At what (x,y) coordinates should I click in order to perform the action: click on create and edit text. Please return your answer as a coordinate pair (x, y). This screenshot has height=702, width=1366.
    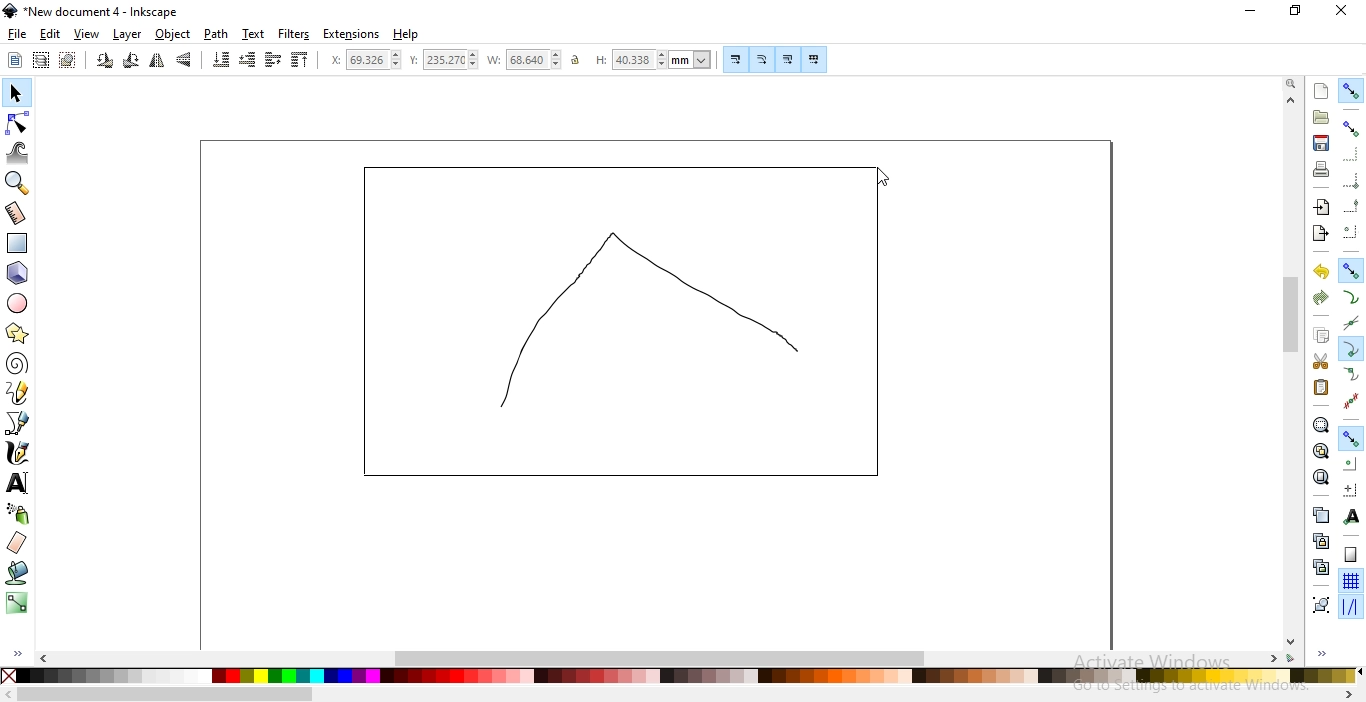
    Looking at the image, I should click on (18, 484).